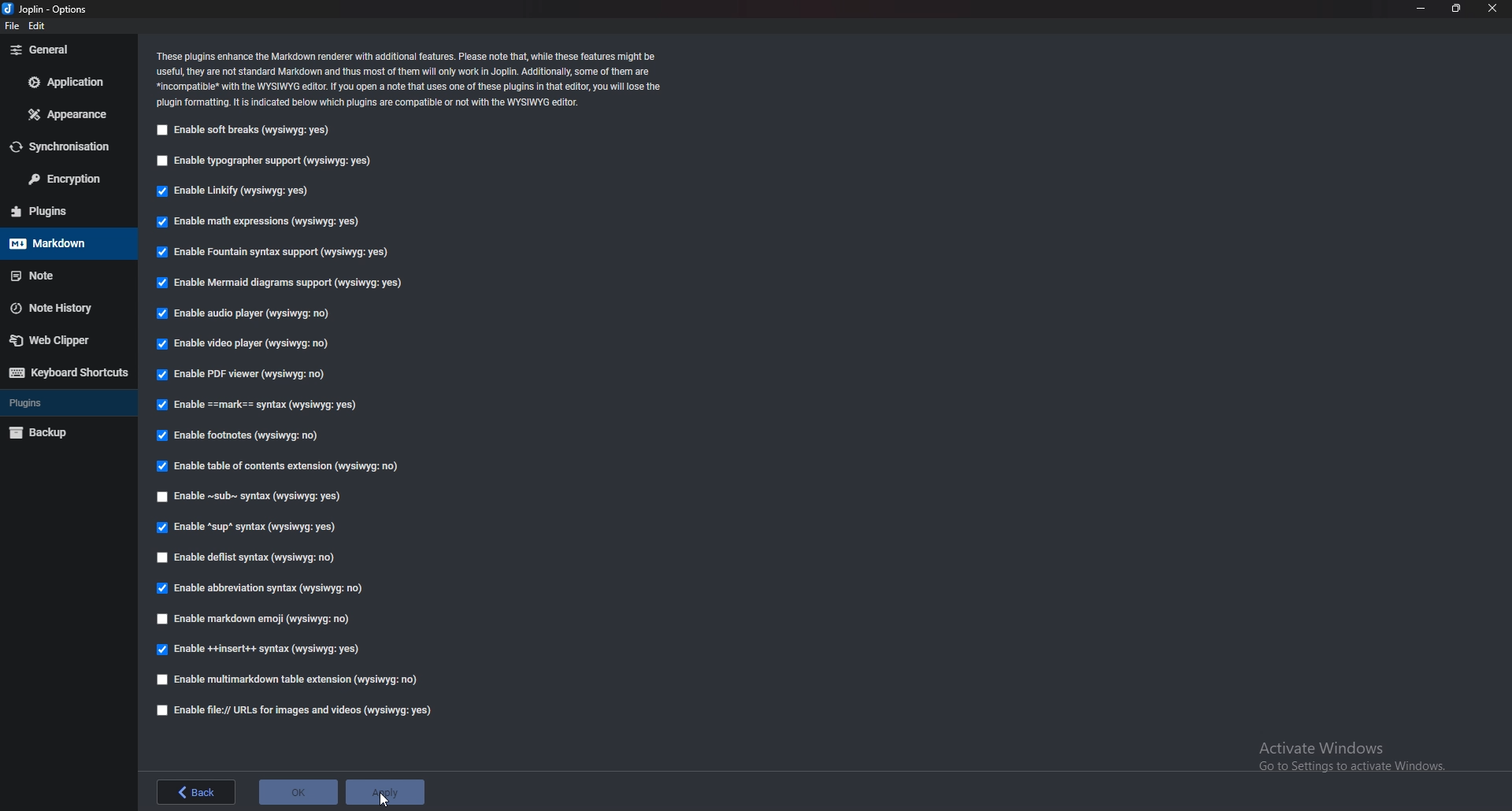 Image resolution: width=1512 pixels, height=811 pixels. Describe the element at coordinates (270, 587) in the screenshot. I see `enable abbreviation syntax` at that location.